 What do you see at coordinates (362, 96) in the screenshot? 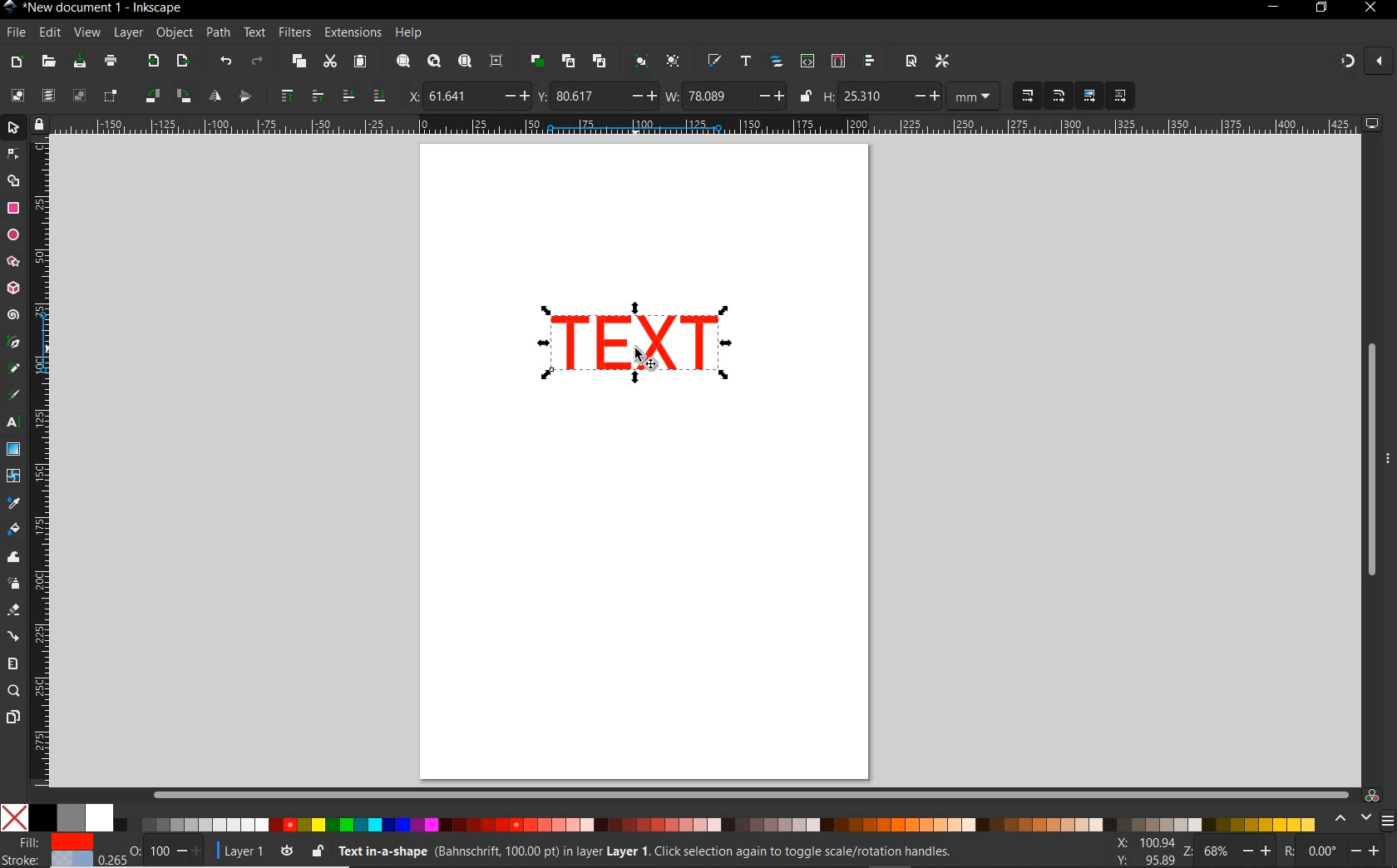
I see `lower selection` at bounding box center [362, 96].